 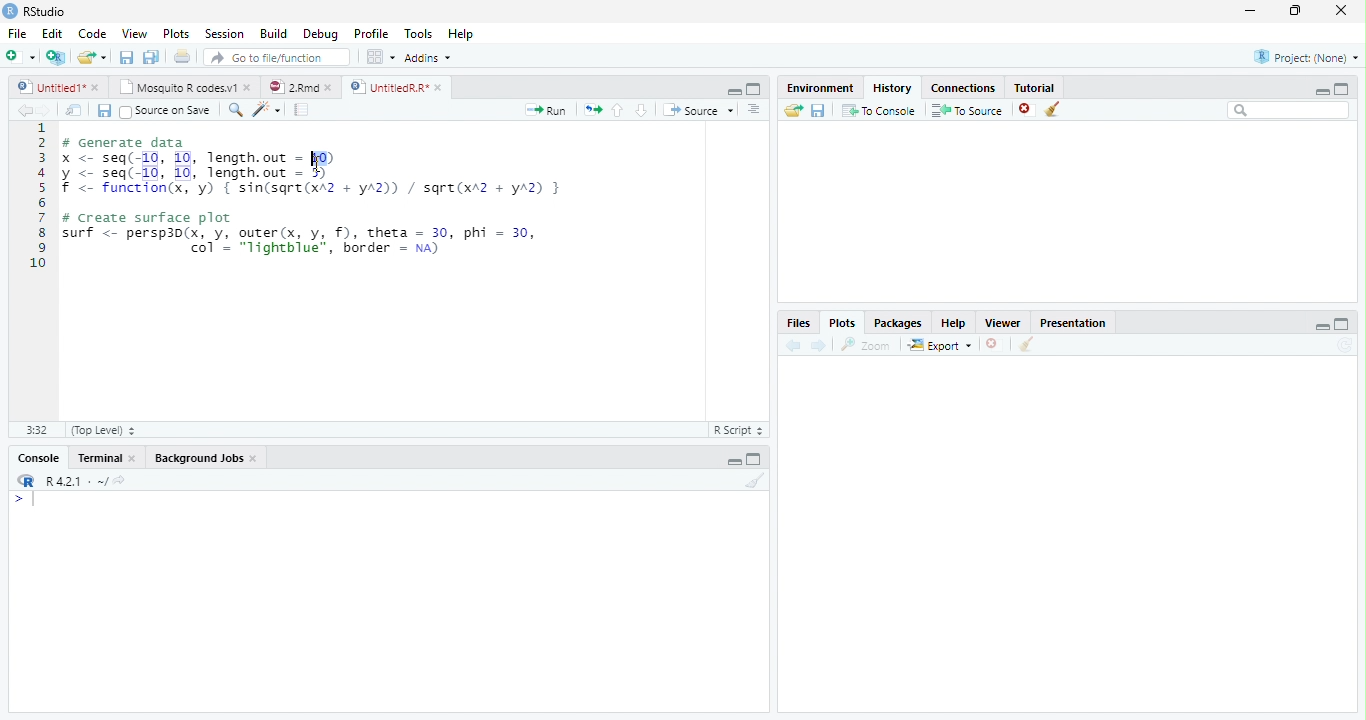 What do you see at coordinates (544, 110) in the screenshot?
I see `Run` at bounding box center [544, 110].